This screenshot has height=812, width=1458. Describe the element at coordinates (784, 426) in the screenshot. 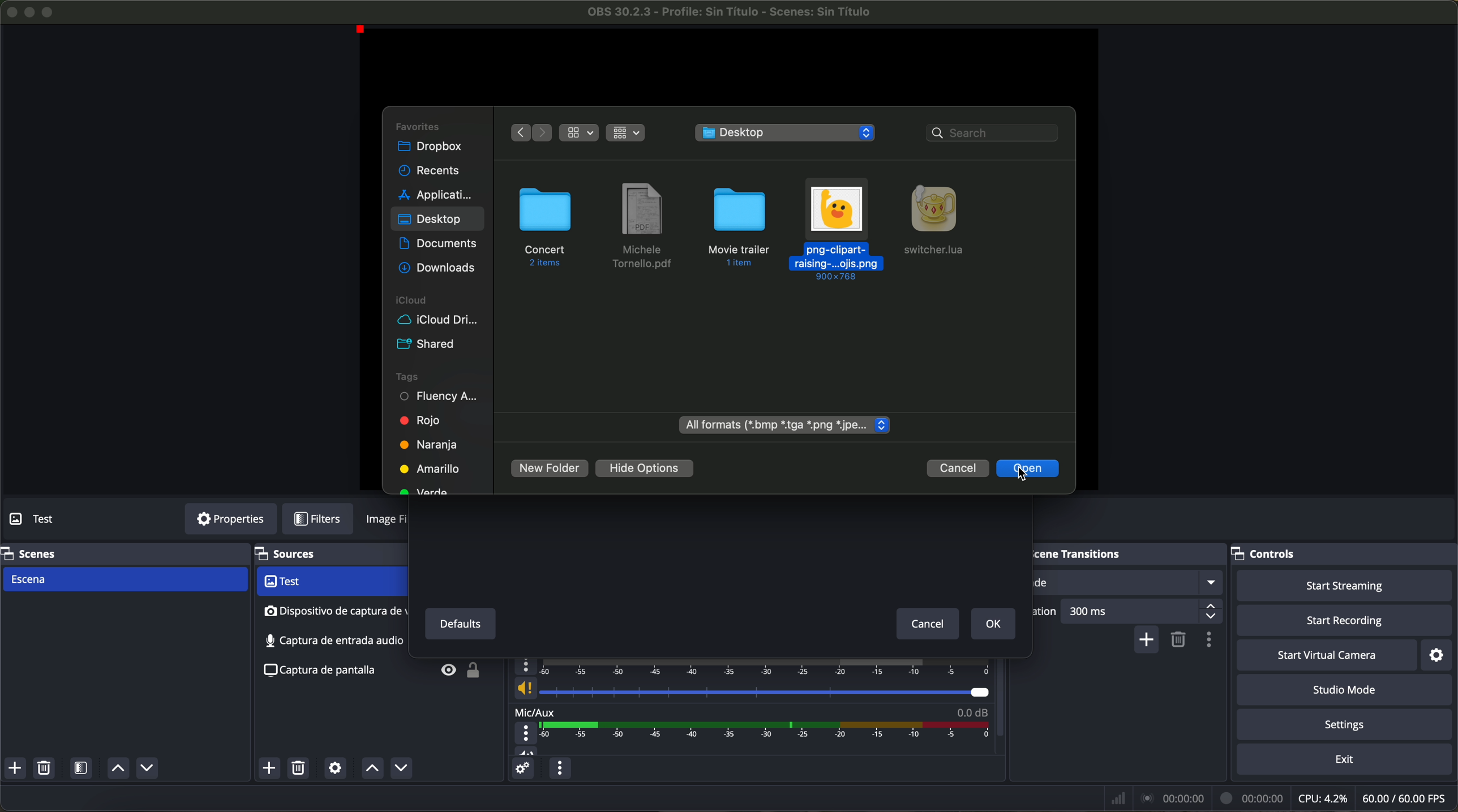

I see `all formats` at that location.